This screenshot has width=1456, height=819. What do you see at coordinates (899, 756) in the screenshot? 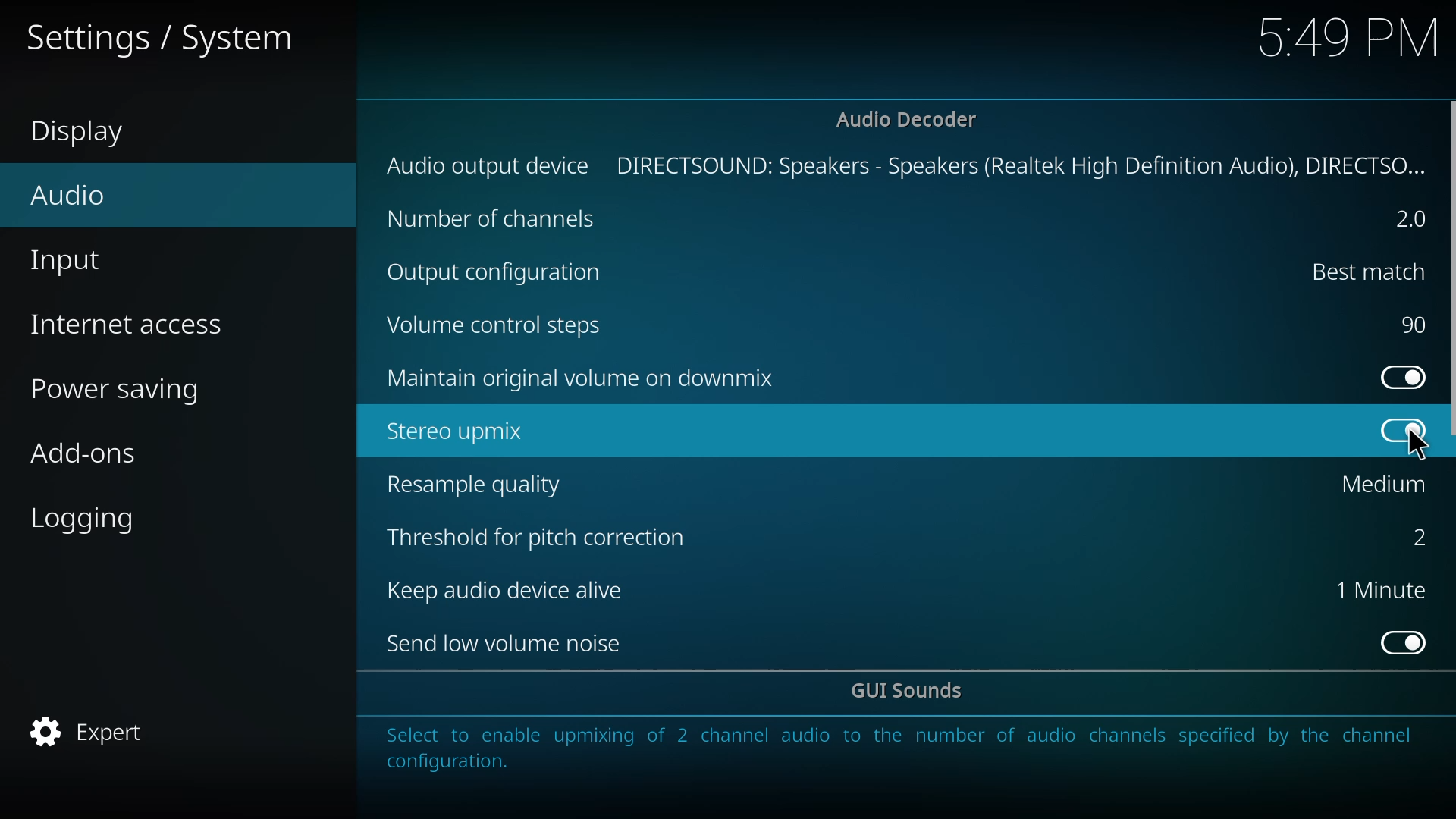
I see `info` at bounding box center [899, 756].